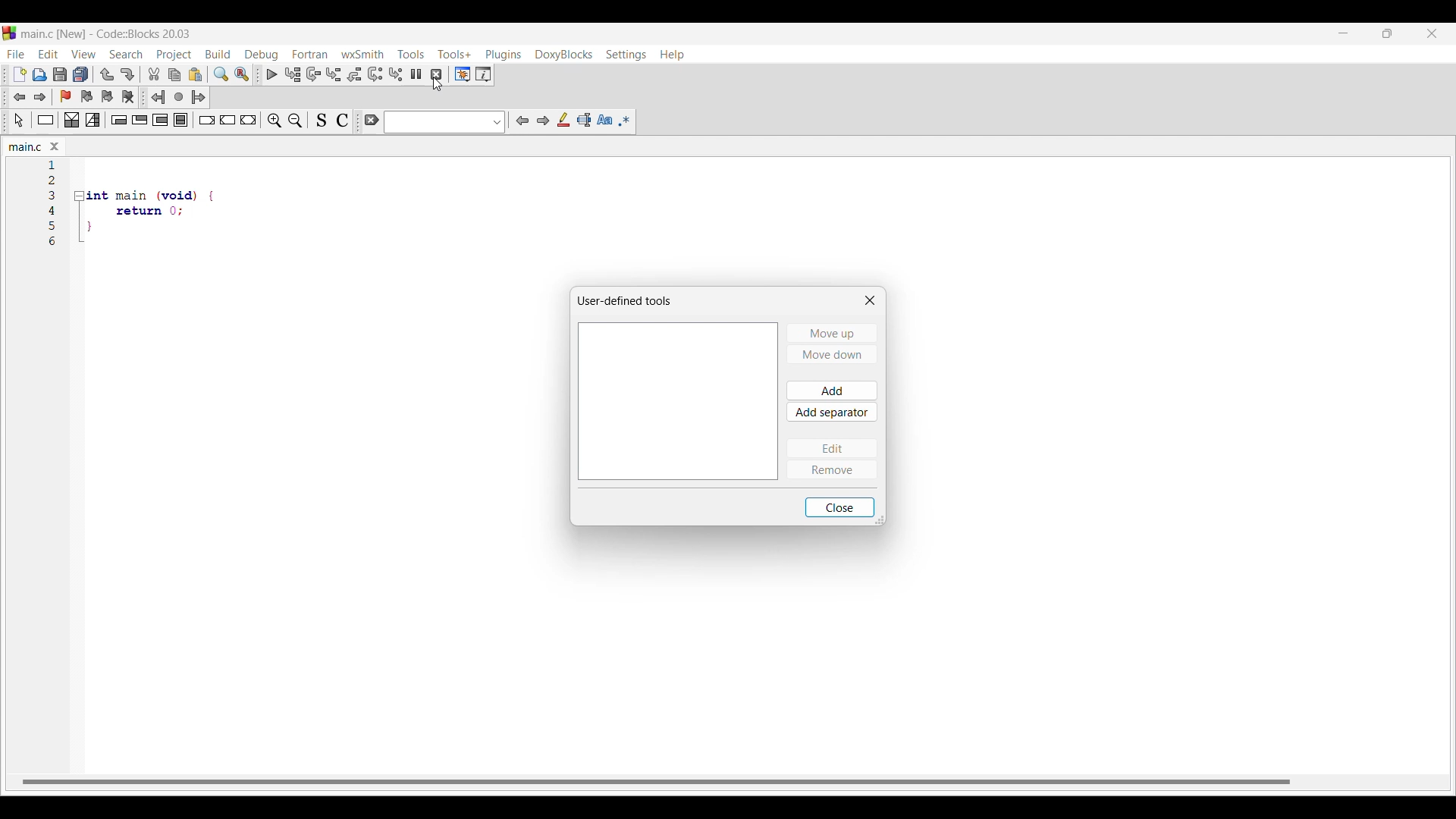 This screenshot has width=1456, height=819. Describe the element at coordinates (119, 120) in the screenshot. I see `Entry condition` at that location.